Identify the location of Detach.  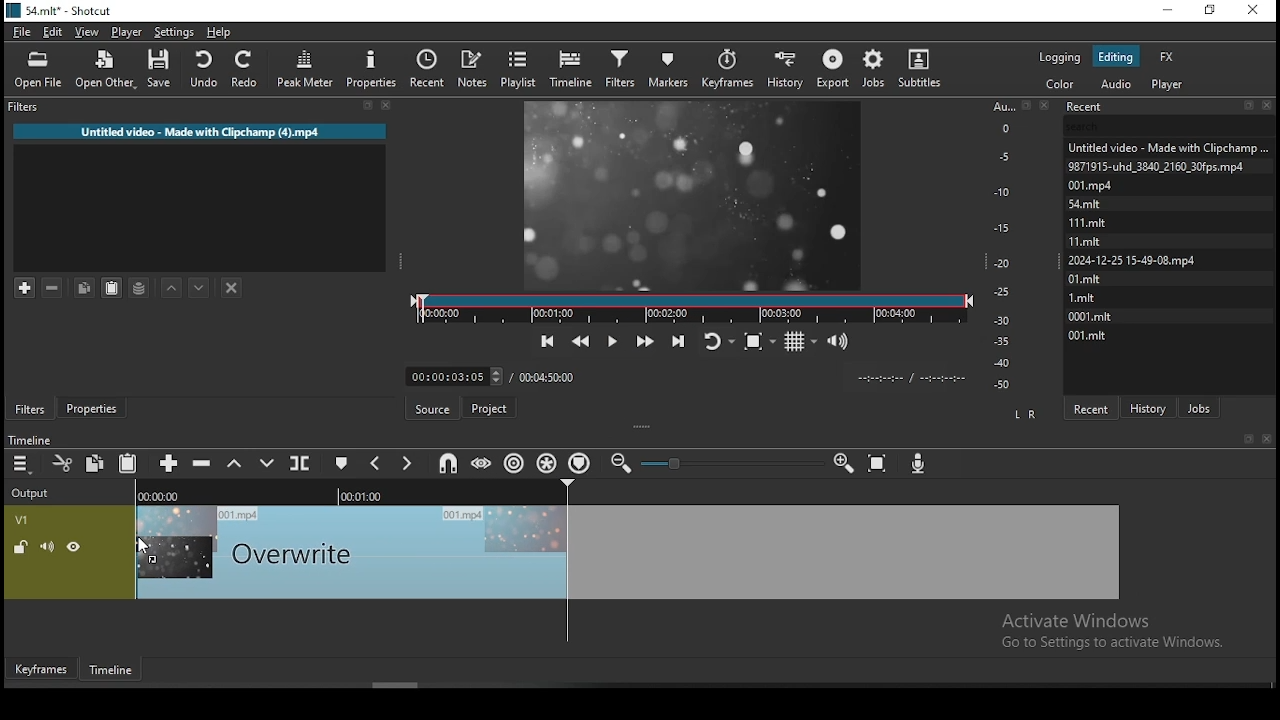
(1027, 105).